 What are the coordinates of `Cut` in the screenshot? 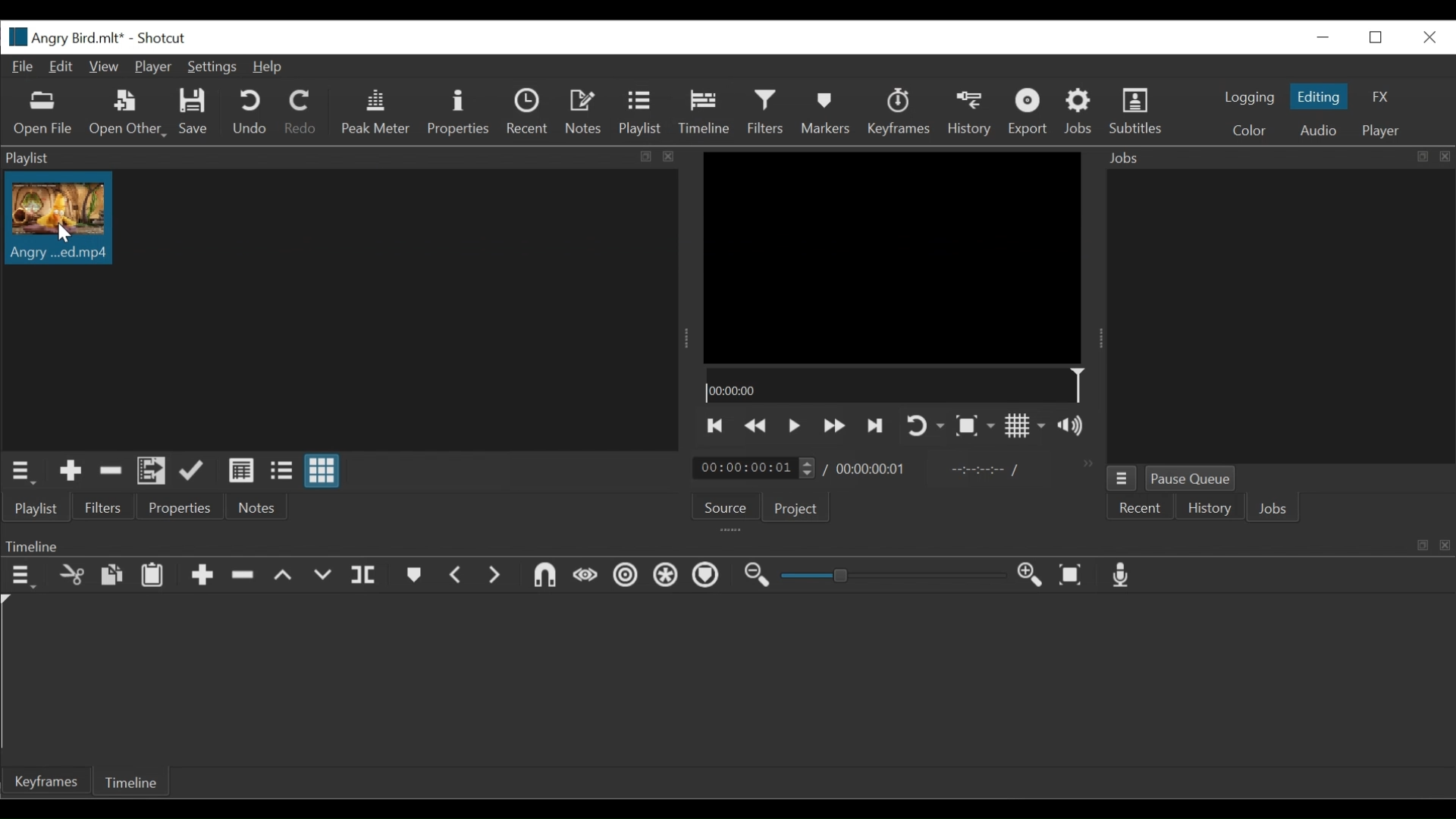 It's located at (71, 574).